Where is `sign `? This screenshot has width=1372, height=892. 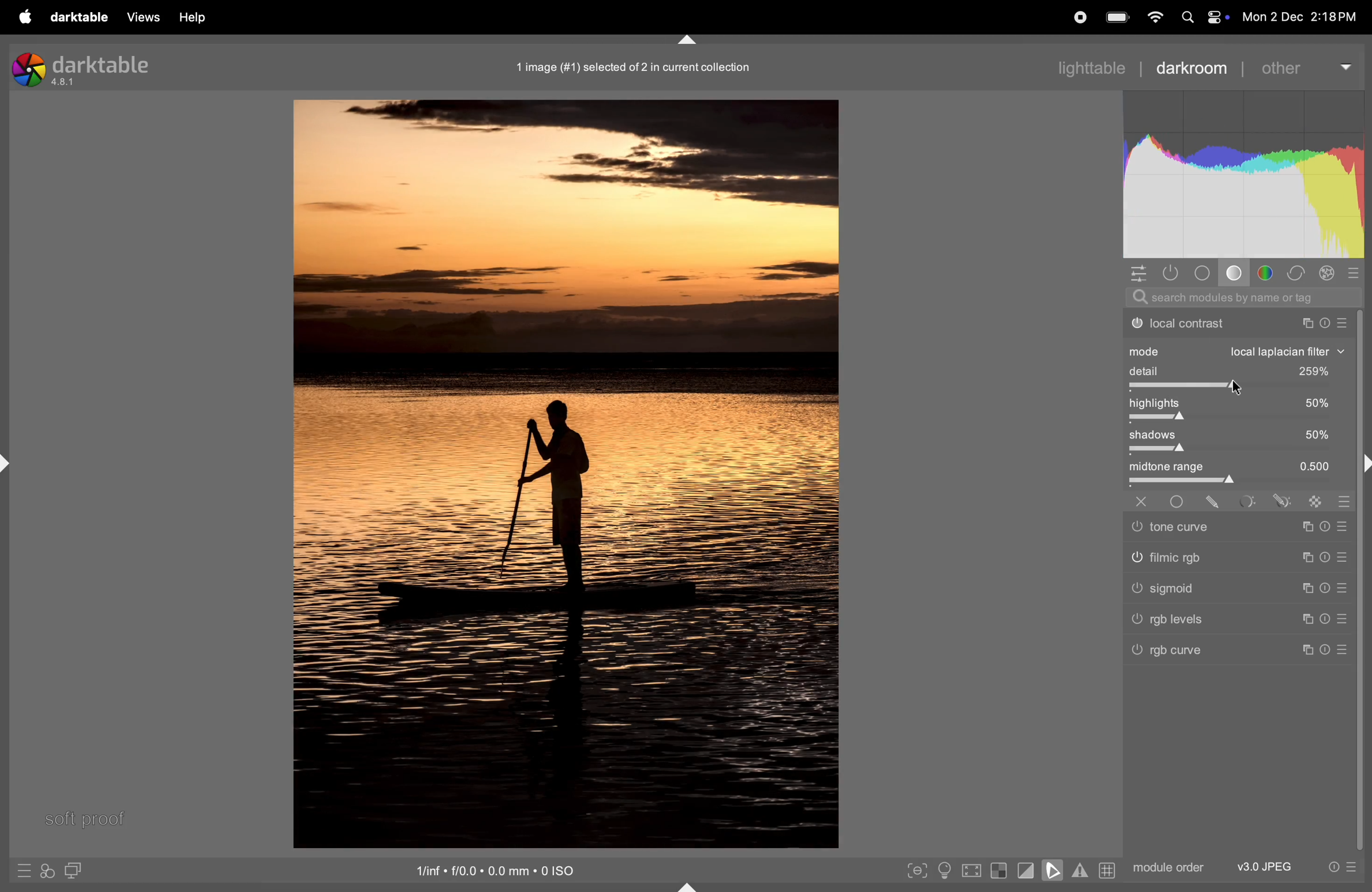 sign  is located at coordinates (1345, 618).